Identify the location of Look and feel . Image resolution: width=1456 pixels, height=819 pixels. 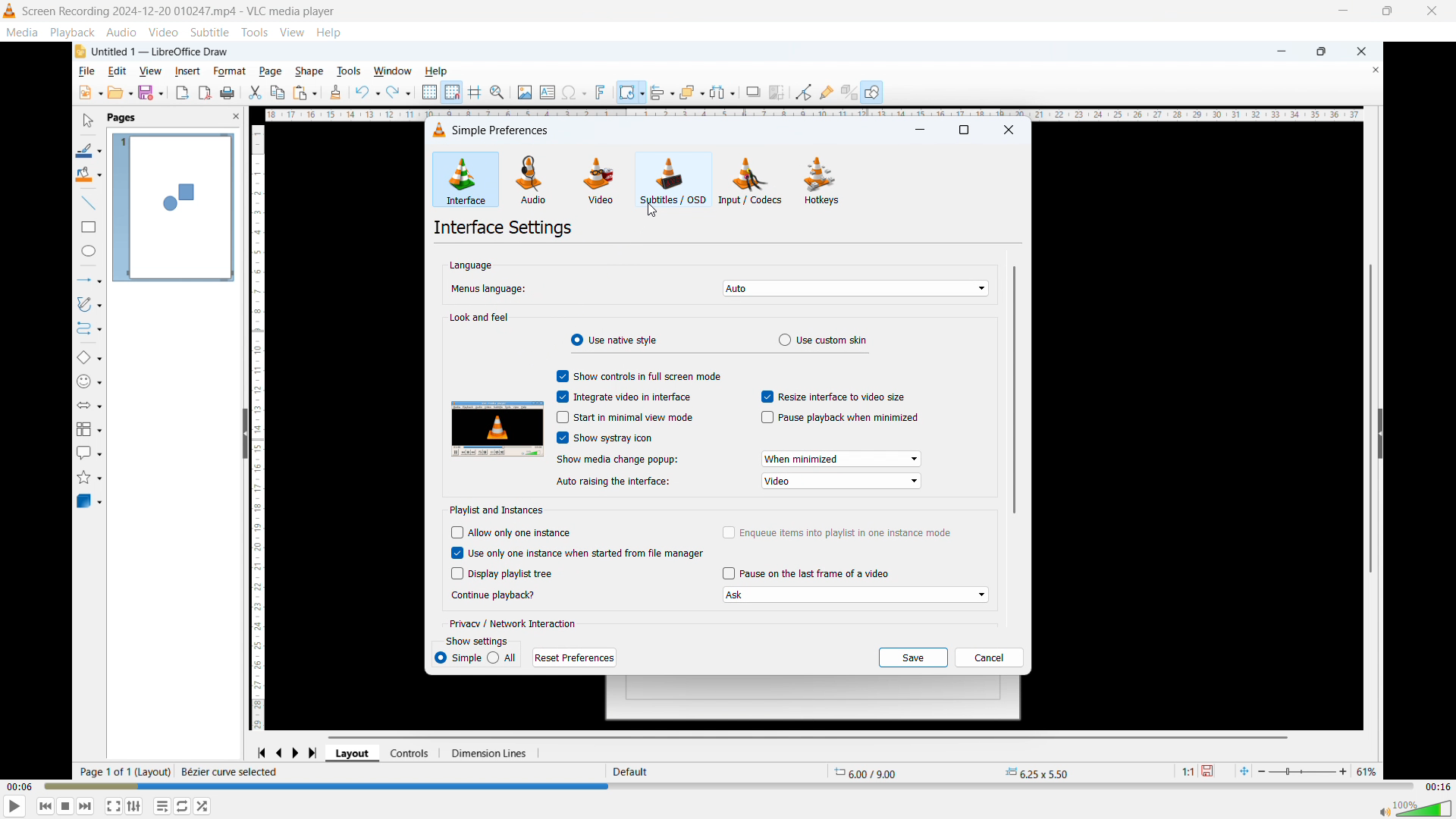
(481, 318).